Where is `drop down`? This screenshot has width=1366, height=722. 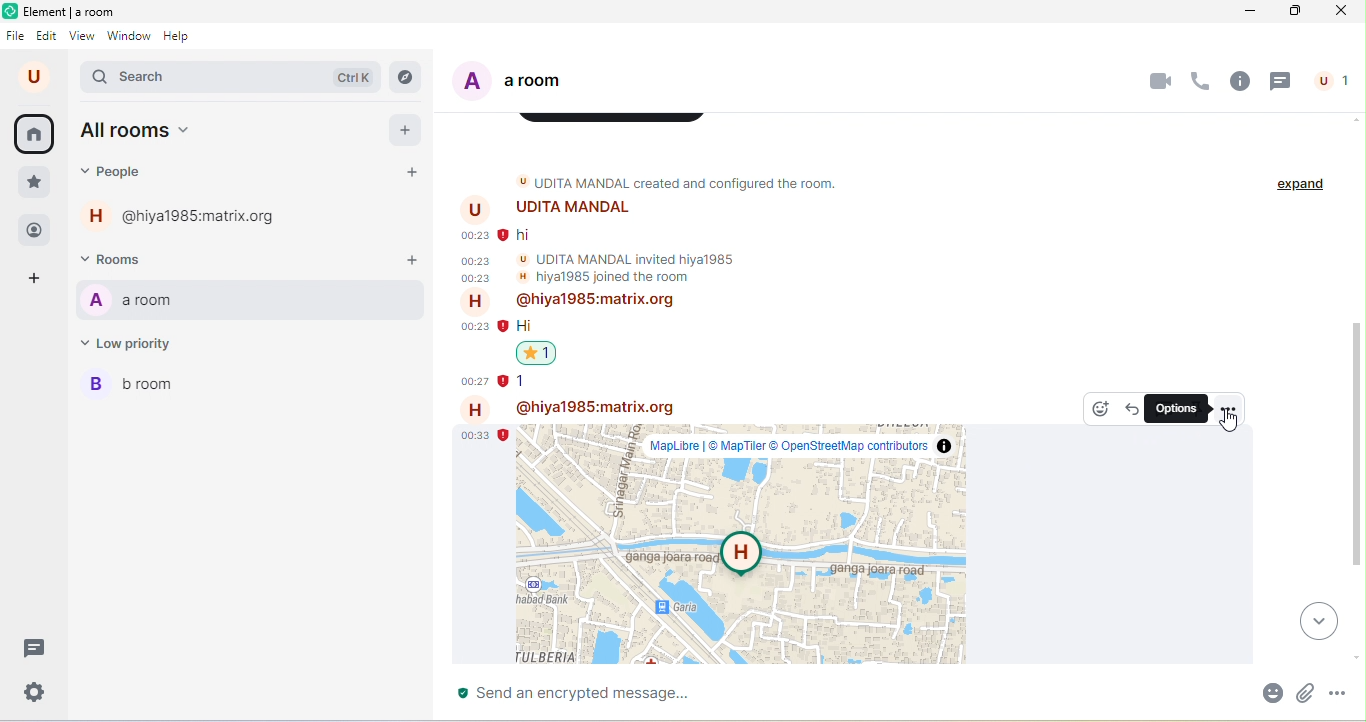 drop down is located at coordinates (1321, 620).